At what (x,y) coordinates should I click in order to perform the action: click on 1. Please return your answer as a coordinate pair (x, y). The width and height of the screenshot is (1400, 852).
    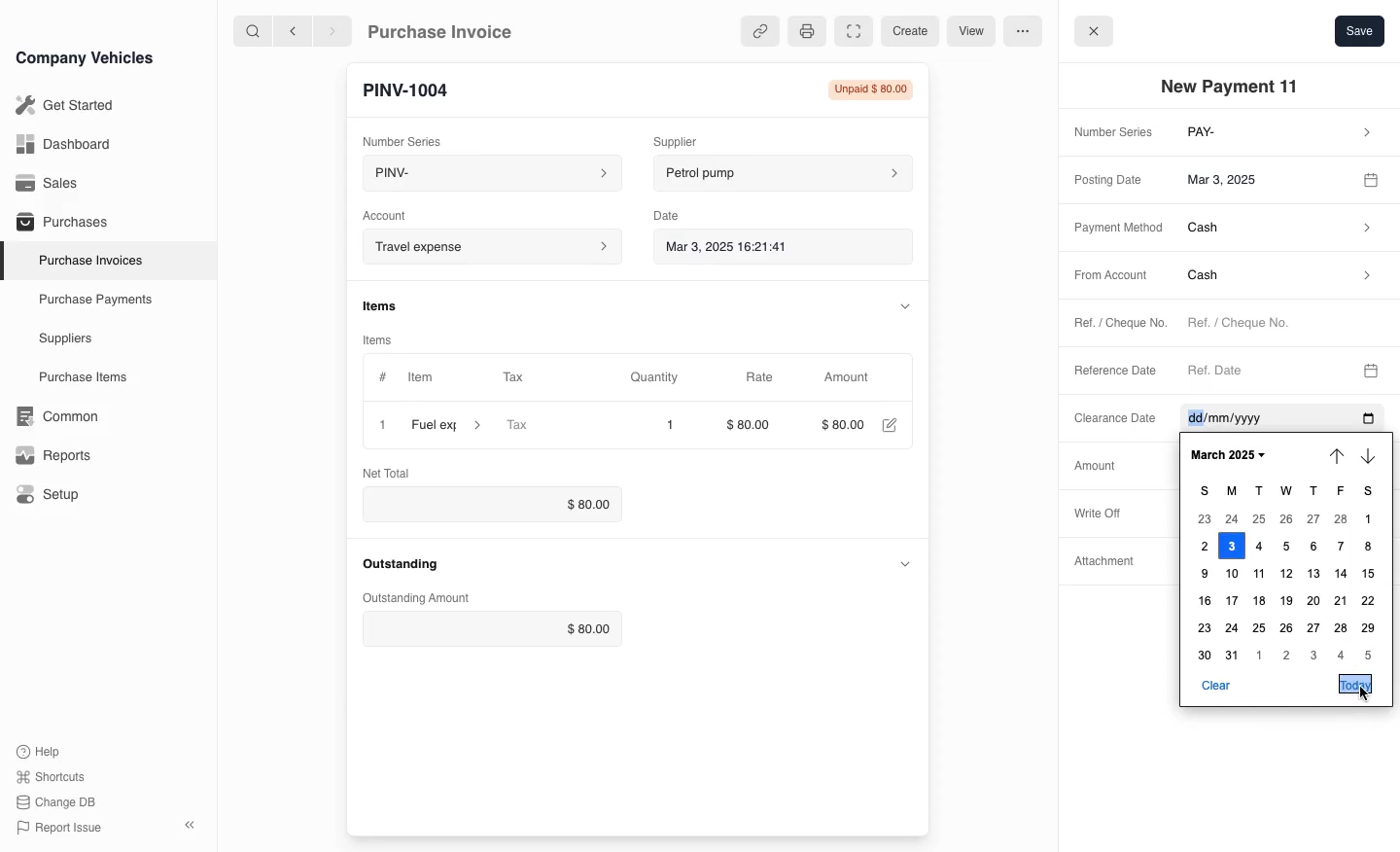
    Looking at the image, I should click on (670, 425).